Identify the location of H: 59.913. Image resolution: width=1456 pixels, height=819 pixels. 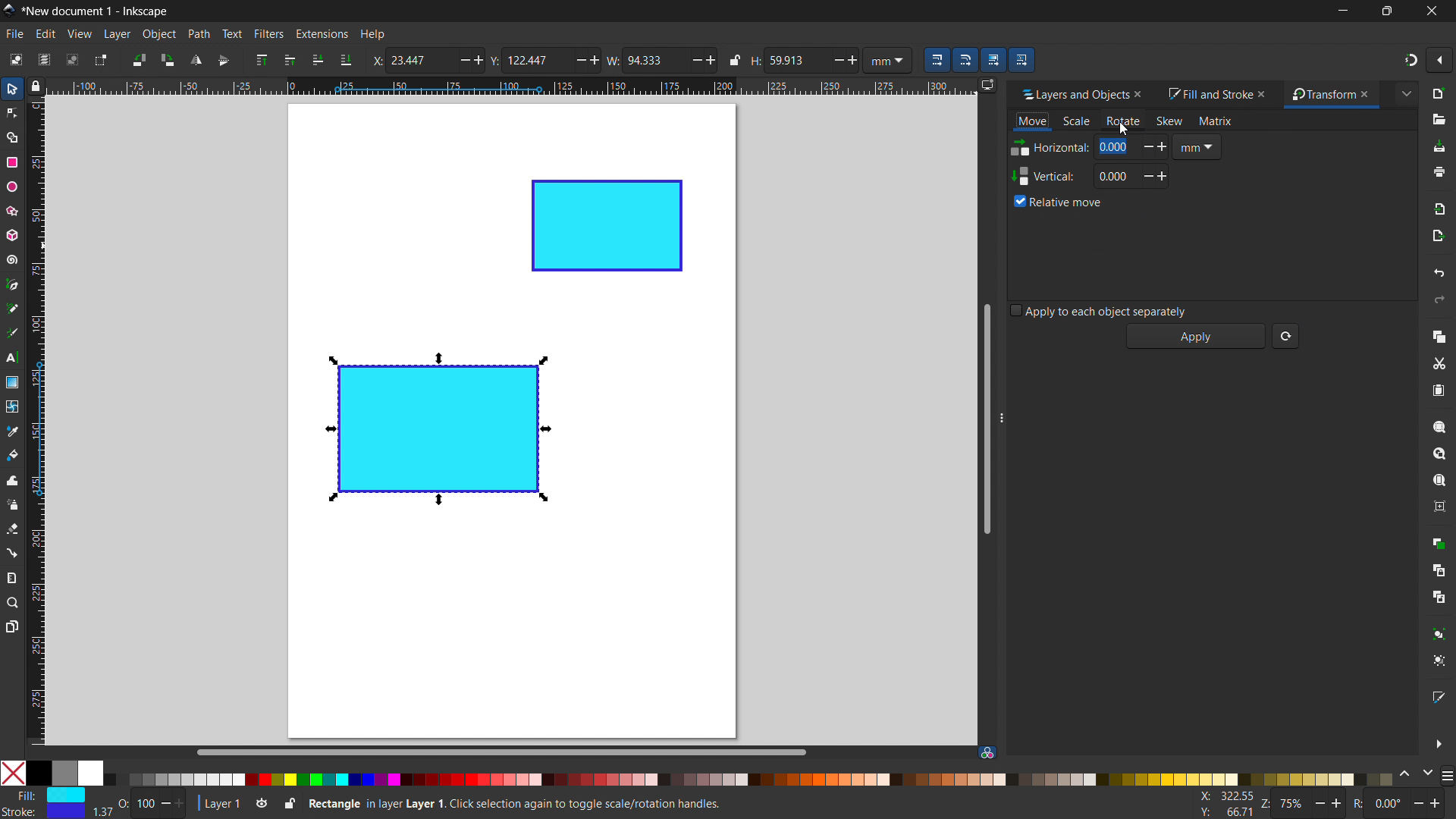
(781, 60).